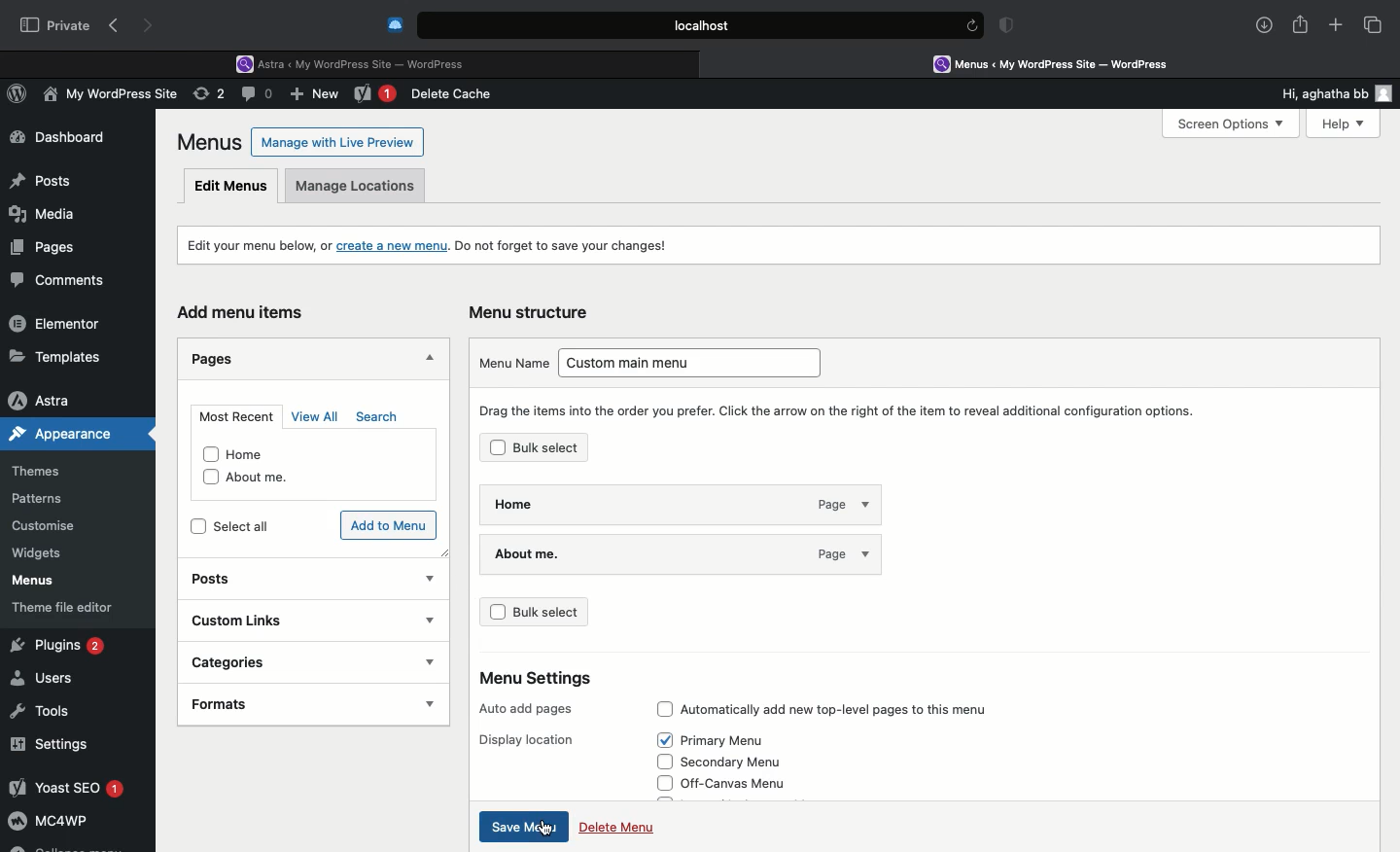 This screenshot has height=852, width=1400. What do you see at coordinates (45, 211) in the screenshot?
I see `Media` at bounding box center [45, 211].